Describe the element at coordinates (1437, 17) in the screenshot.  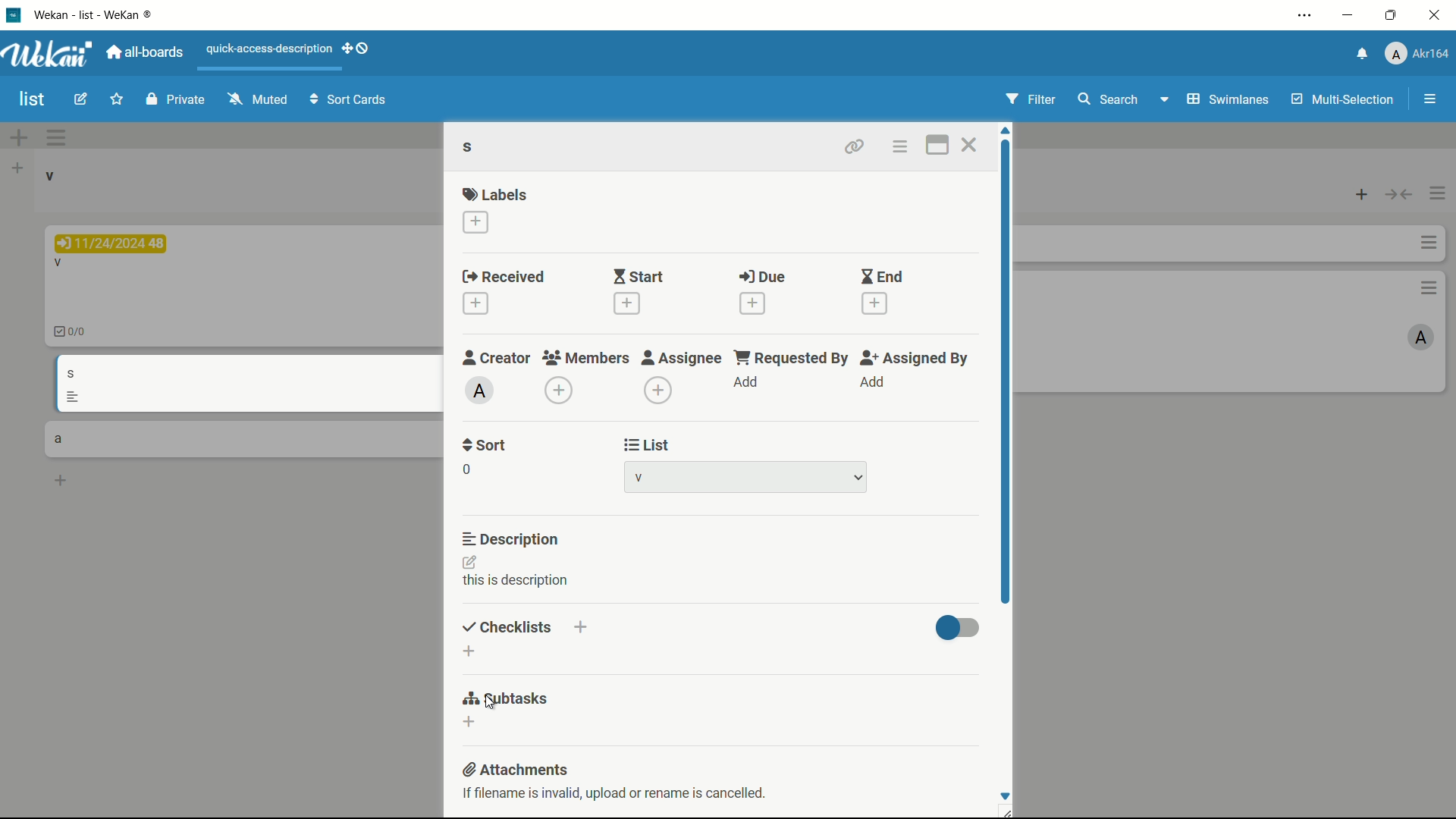
I see `close app` at that location.